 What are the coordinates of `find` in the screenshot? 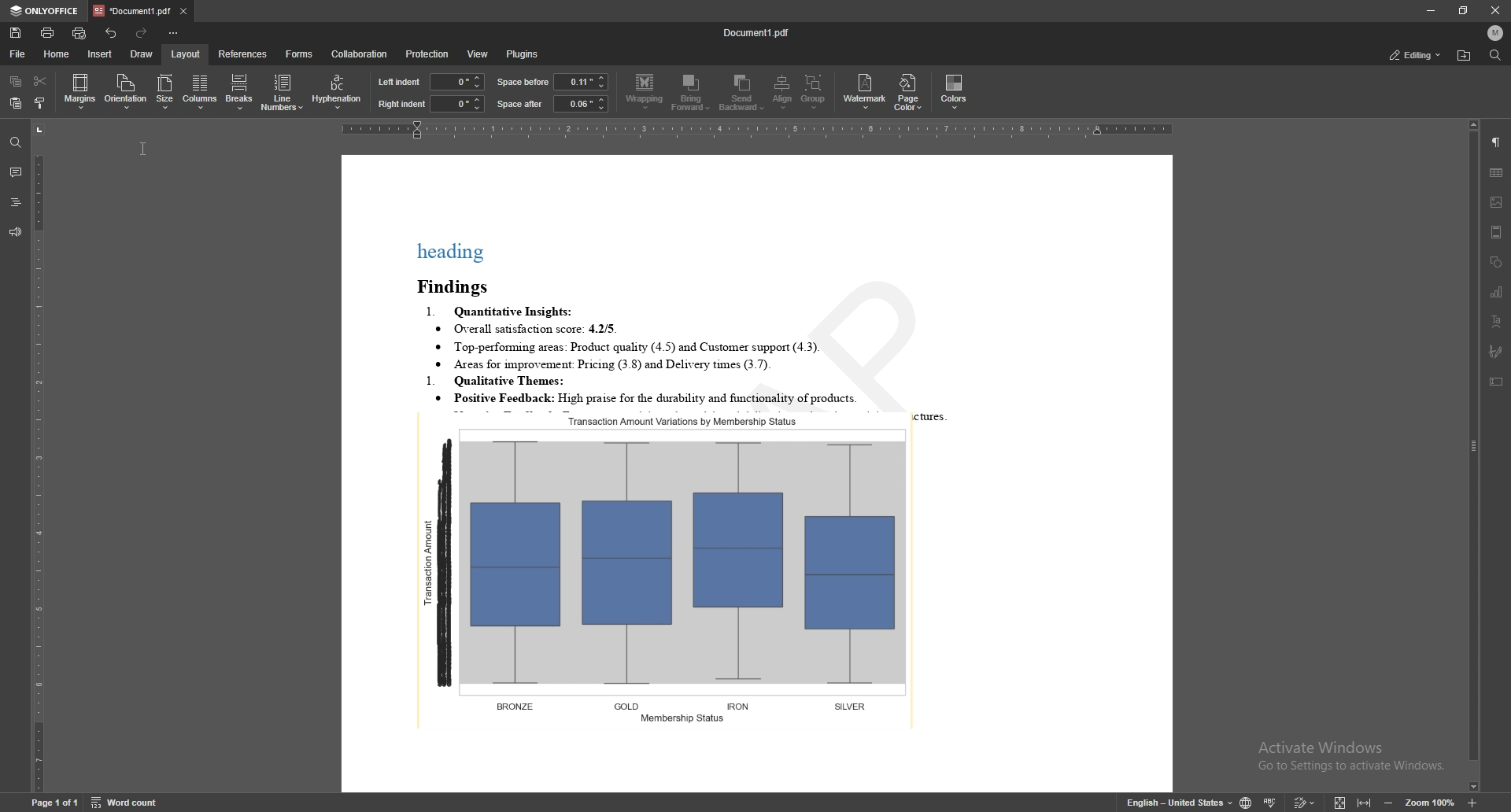 It's located at (13, 142).